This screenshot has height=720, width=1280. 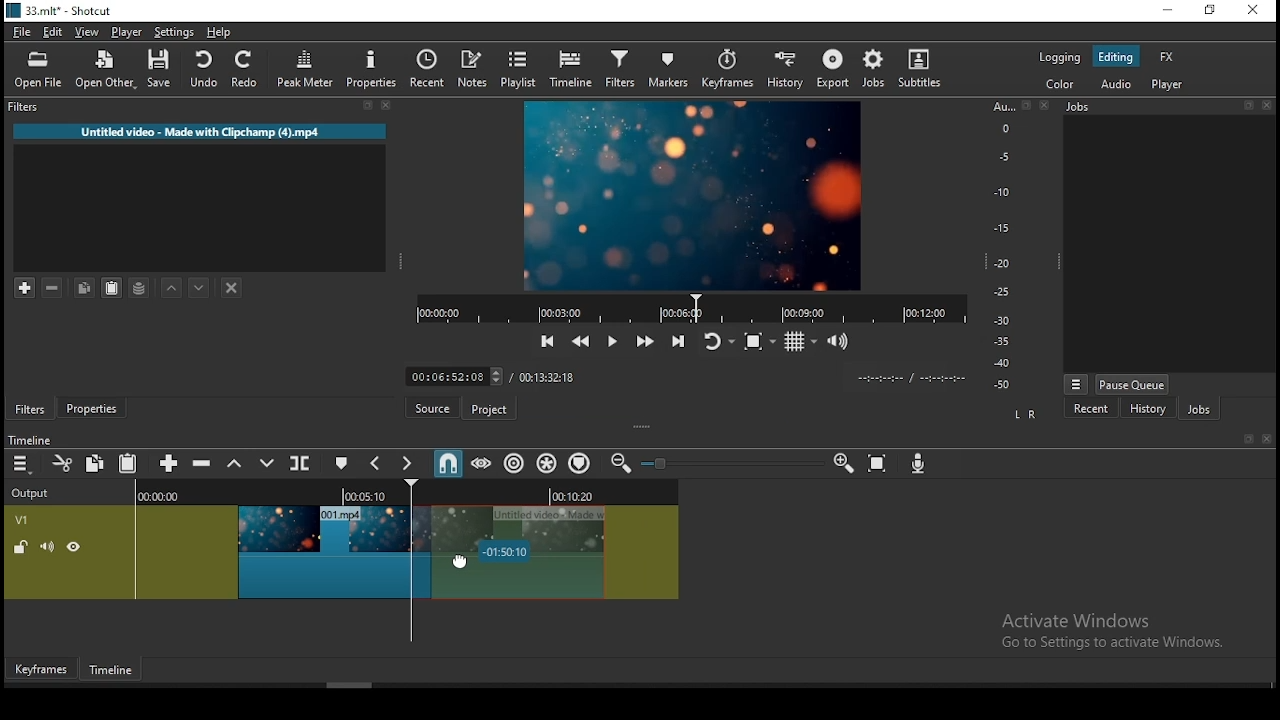 What do you see at coordinates (468, 69) in the screenshot?
I see `notes` at bounding box center [468, 69].